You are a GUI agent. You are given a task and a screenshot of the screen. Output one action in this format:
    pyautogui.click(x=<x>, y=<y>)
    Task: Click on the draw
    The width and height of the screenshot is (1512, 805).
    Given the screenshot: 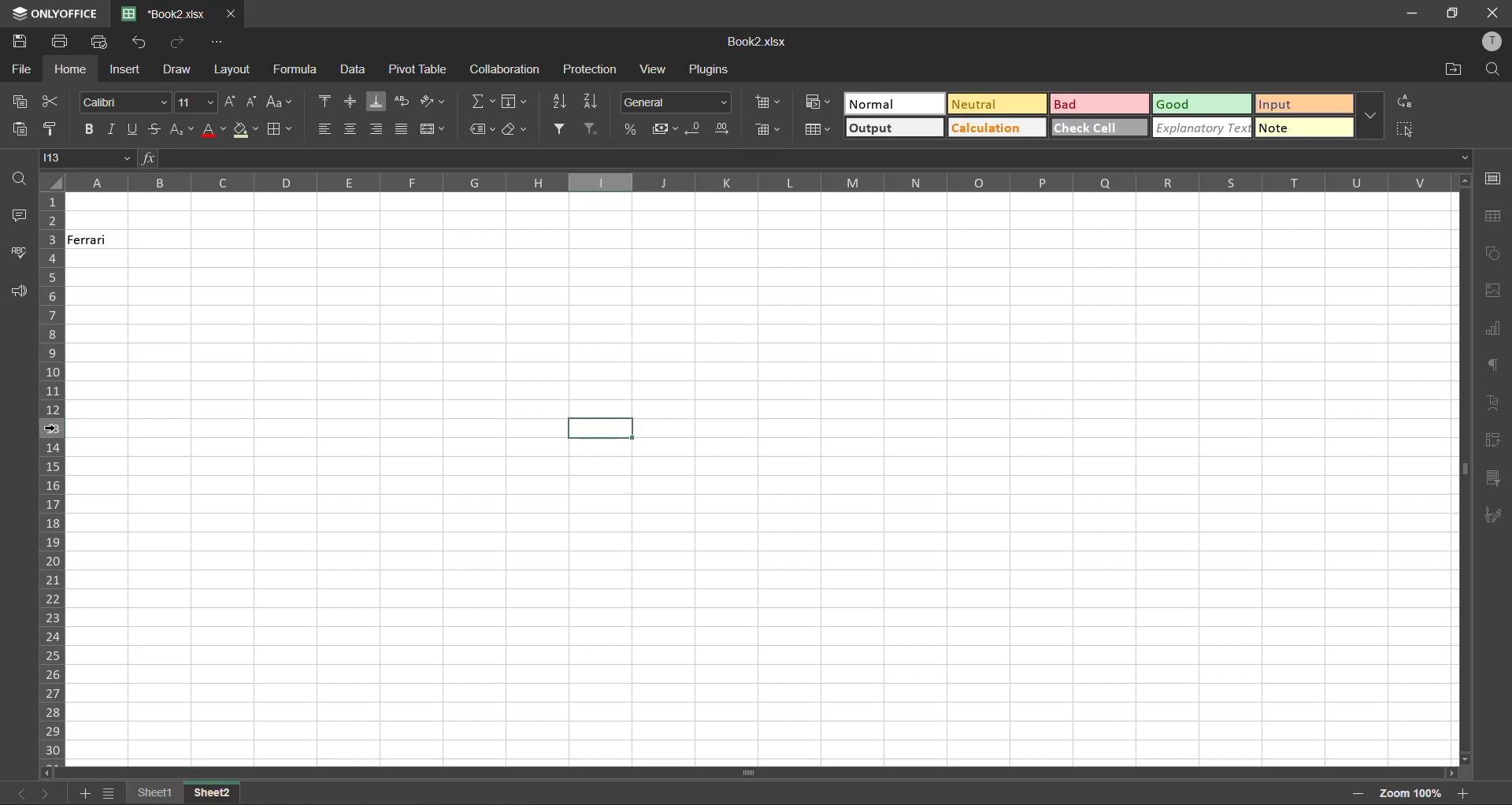 What is the action you would take?
    pyautogui.click(x=179, y=71)
    